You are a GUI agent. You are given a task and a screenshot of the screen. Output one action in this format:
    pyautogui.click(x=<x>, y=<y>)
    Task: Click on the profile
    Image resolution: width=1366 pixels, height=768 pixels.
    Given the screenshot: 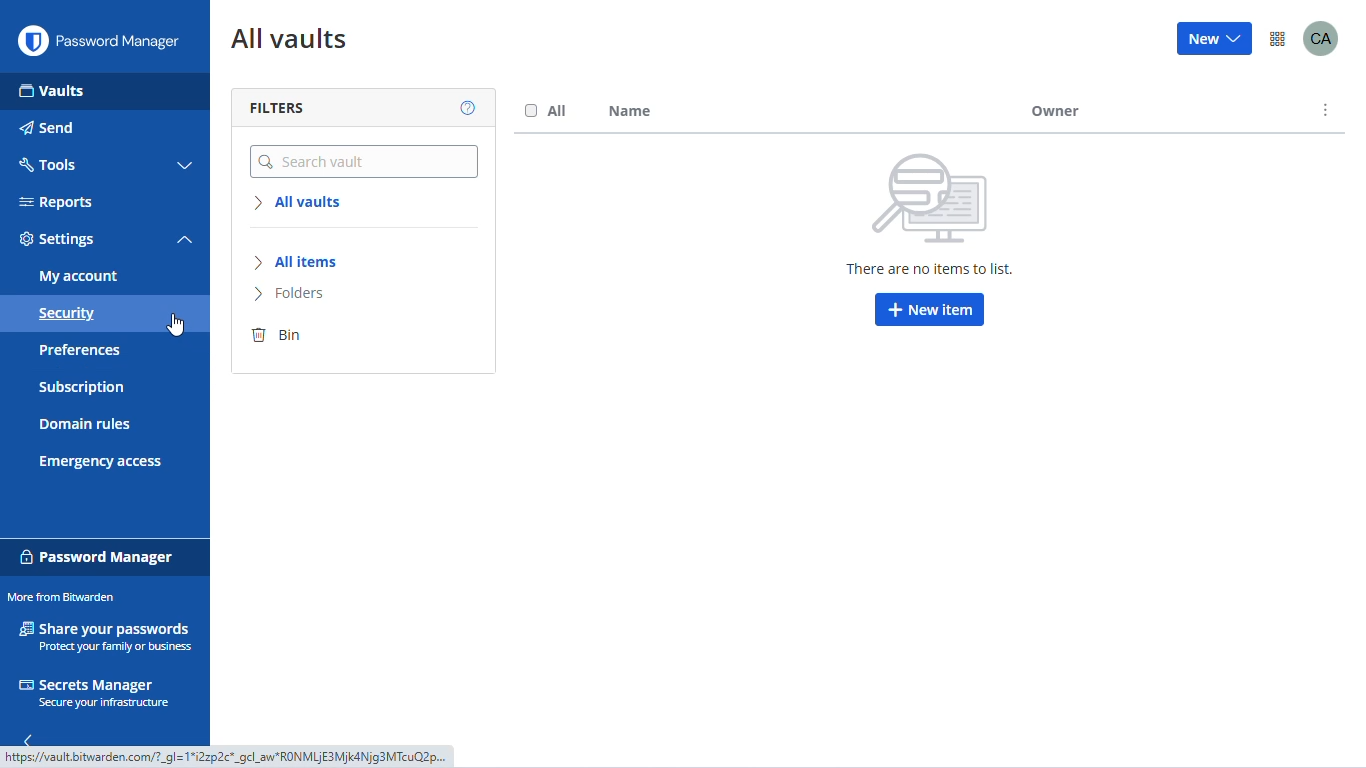 What is the action you would take?
    pyautogui.click(x=1321, y=38)
    